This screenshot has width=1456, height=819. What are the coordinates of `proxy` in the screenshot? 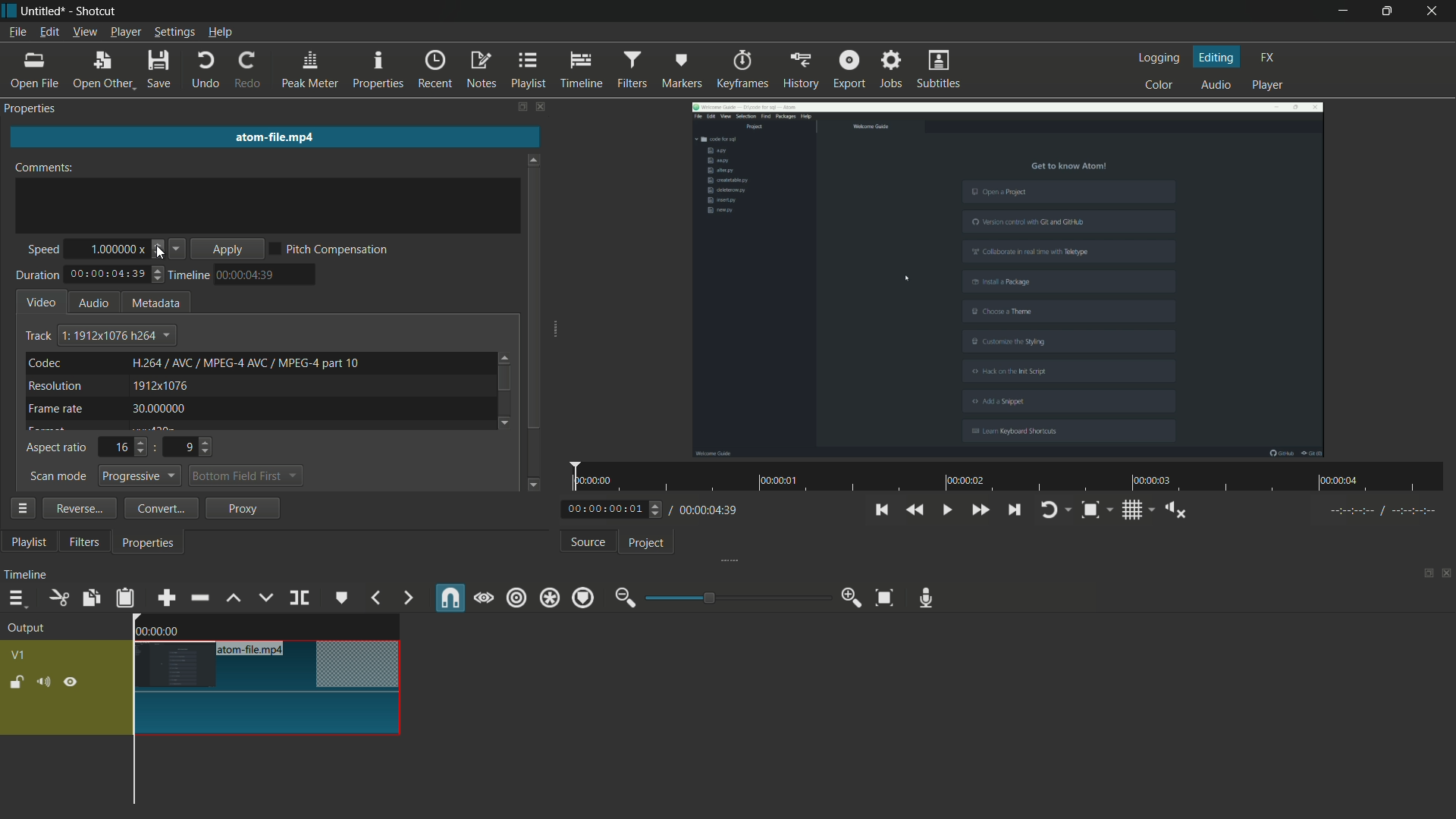 It's located at (244, 509).